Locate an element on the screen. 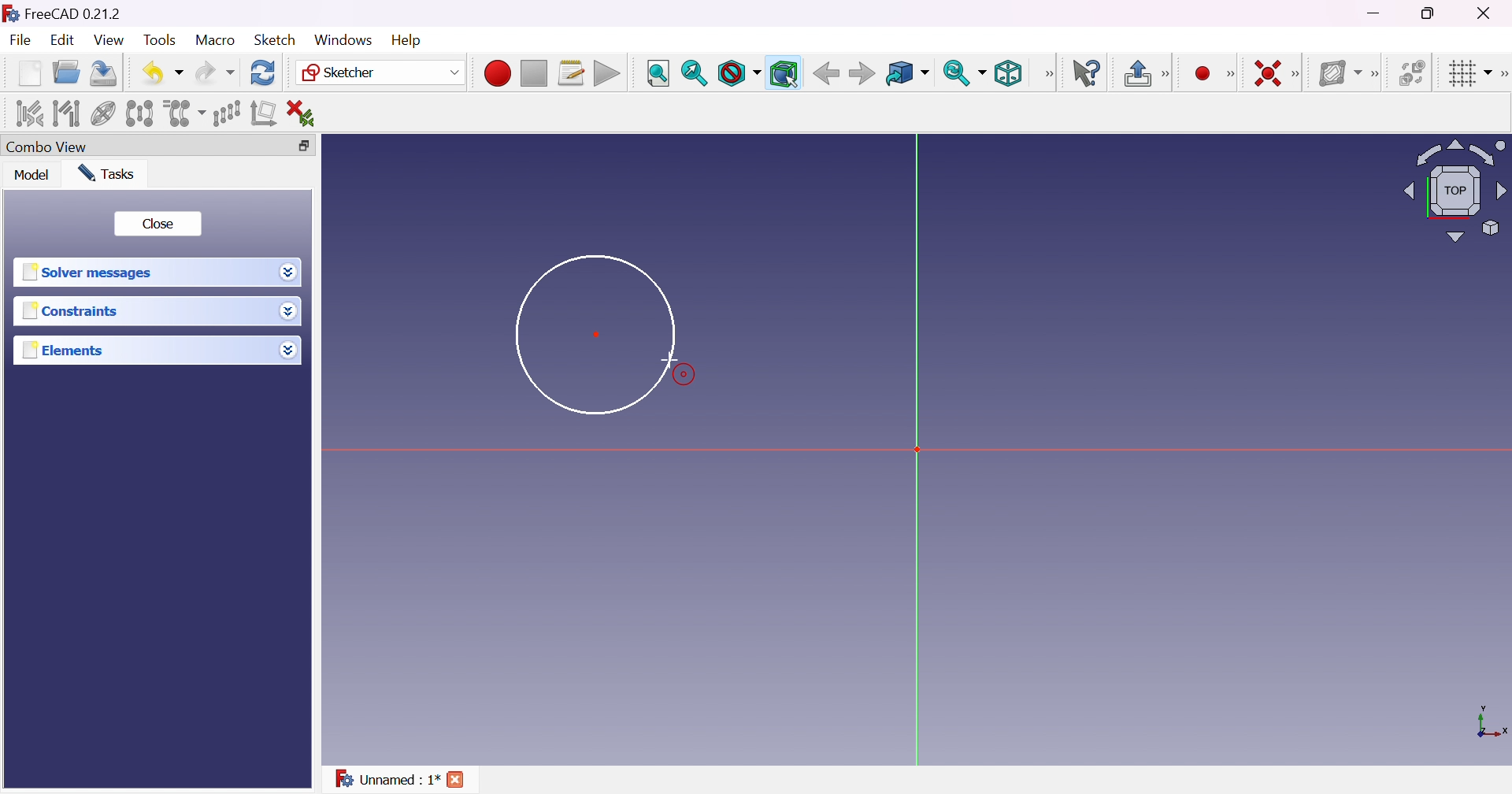 The width and height of the screenshot is (1512, 794). Create point is located at coordinates (1205, 72).